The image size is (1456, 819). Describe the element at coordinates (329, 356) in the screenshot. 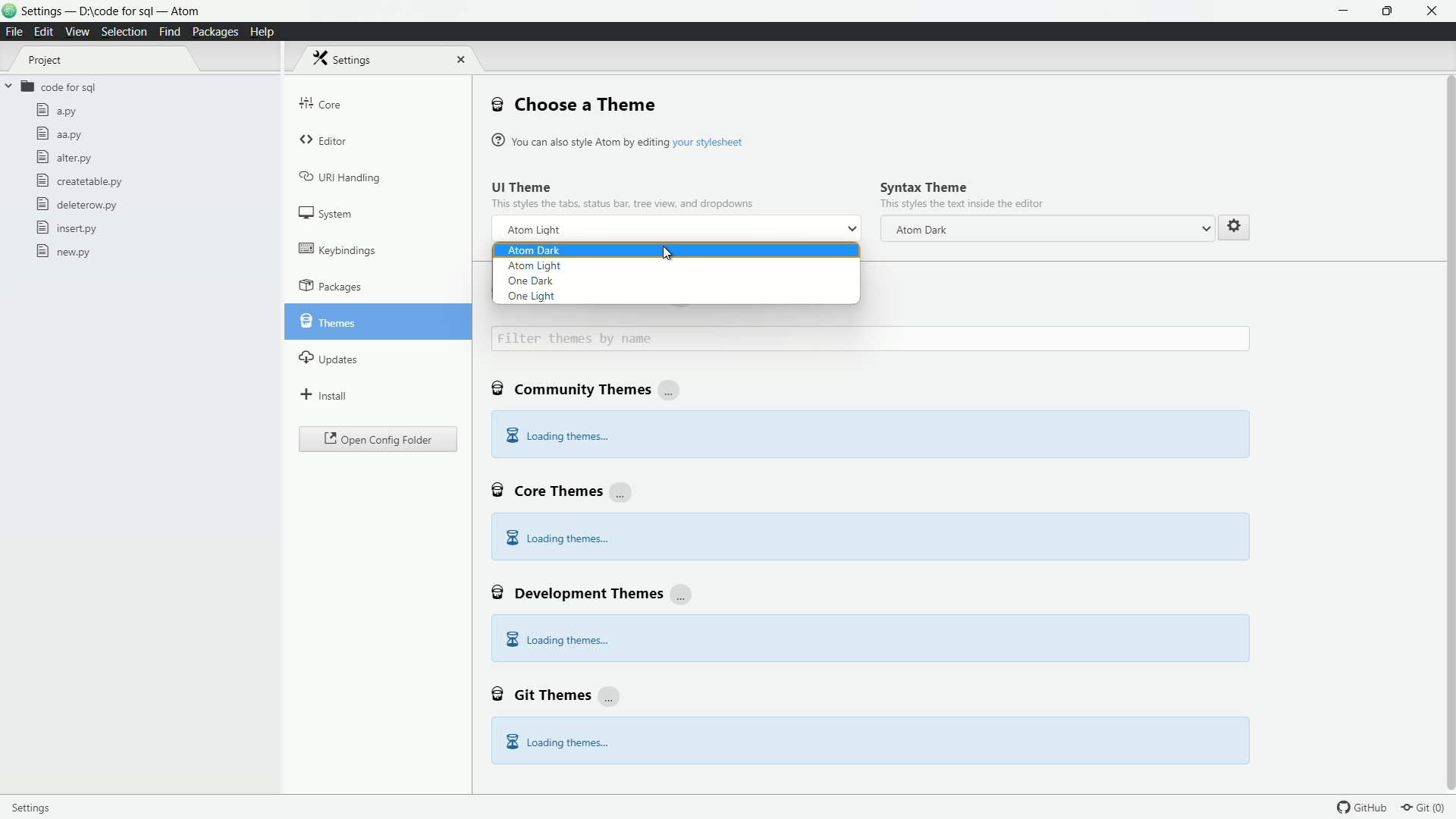

I see `updates` at that location.